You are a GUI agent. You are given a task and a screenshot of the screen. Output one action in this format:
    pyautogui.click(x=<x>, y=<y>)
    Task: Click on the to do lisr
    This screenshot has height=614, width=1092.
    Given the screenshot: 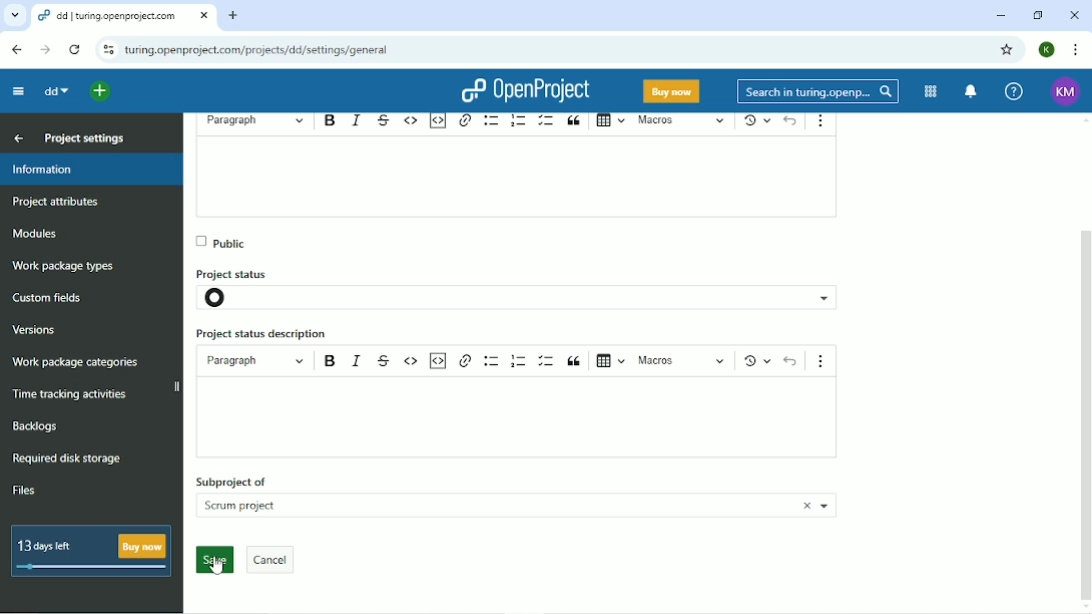 What is the action you would take?
    pyautogui.click(x=548, y=358)
    